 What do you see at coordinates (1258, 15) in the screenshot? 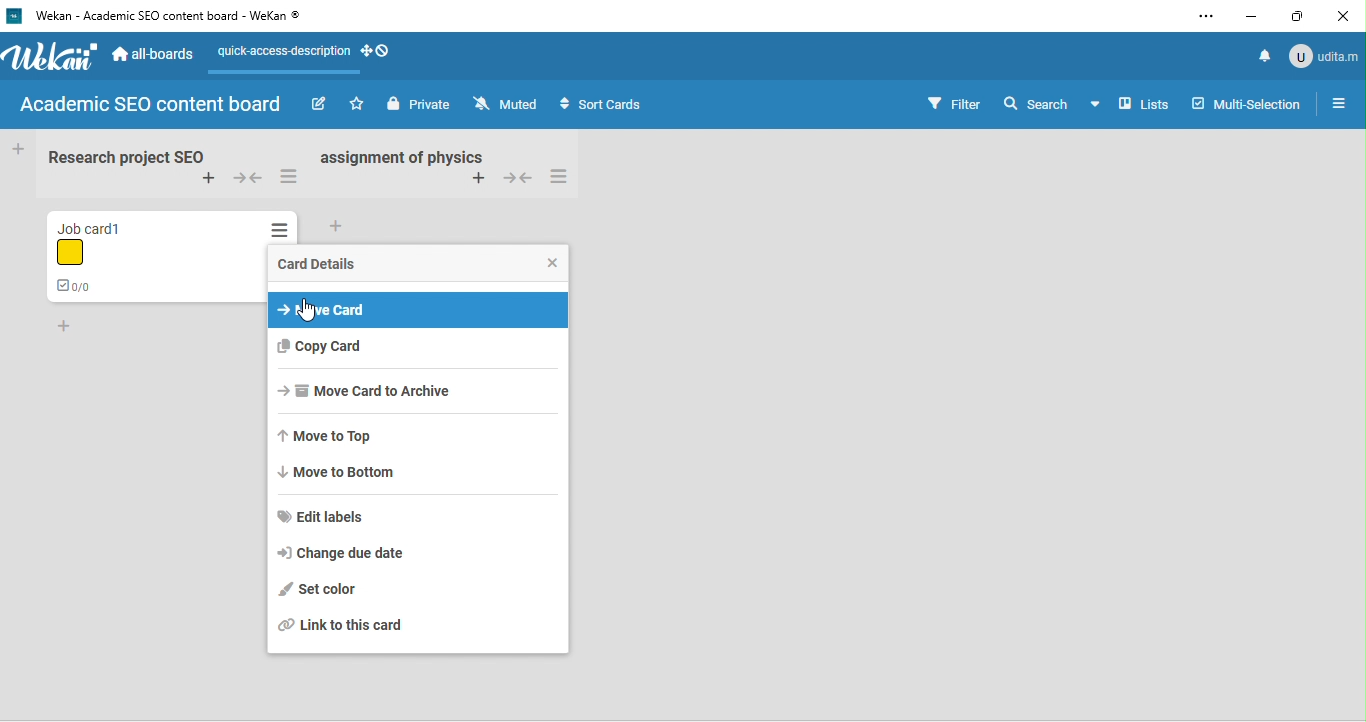
I see `minimize` at bounding box center [1258, 15].